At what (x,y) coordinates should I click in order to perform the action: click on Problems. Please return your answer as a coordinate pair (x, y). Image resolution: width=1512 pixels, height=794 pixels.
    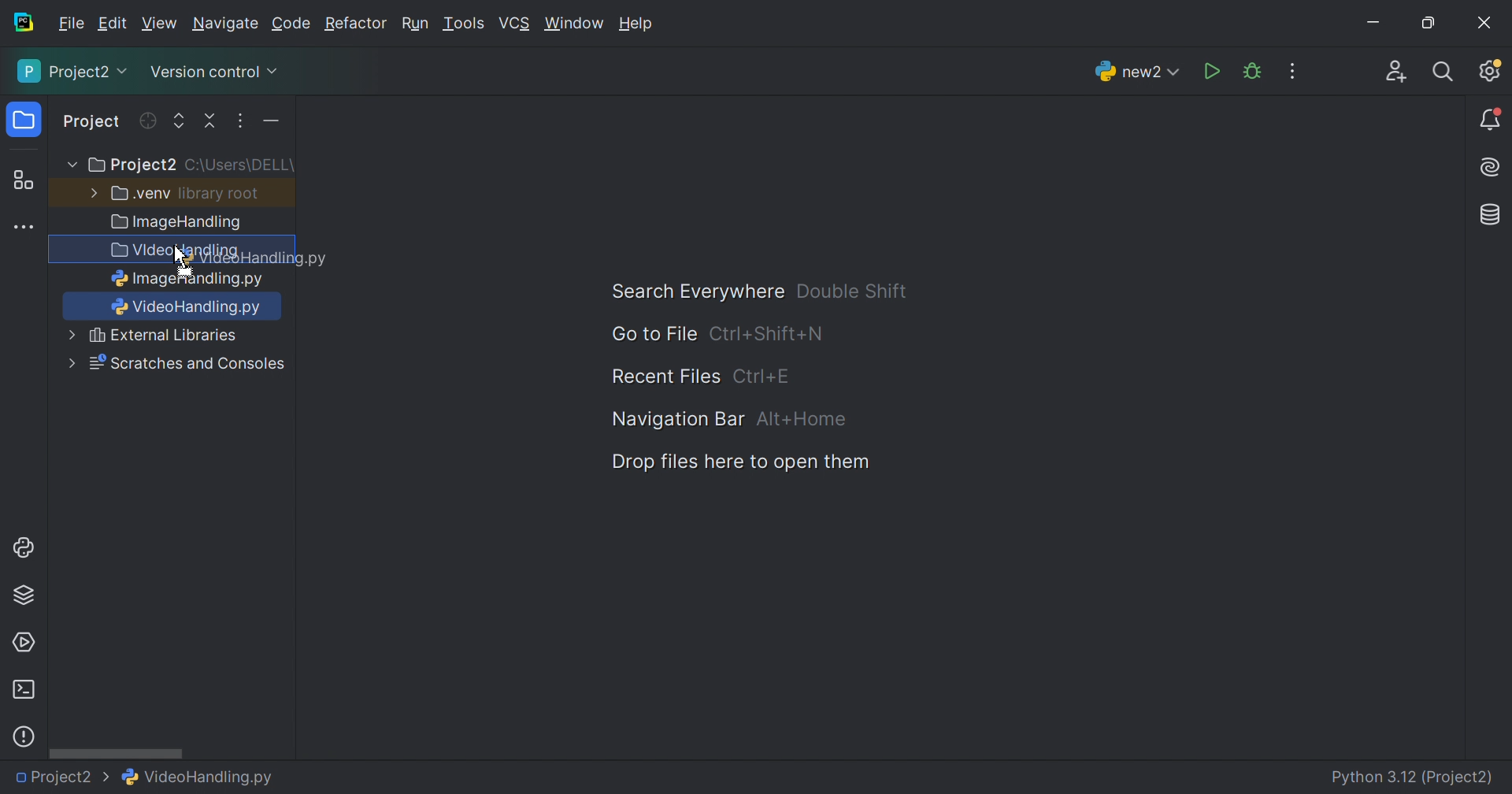
    Looking at the image, I should click on (24, 736).